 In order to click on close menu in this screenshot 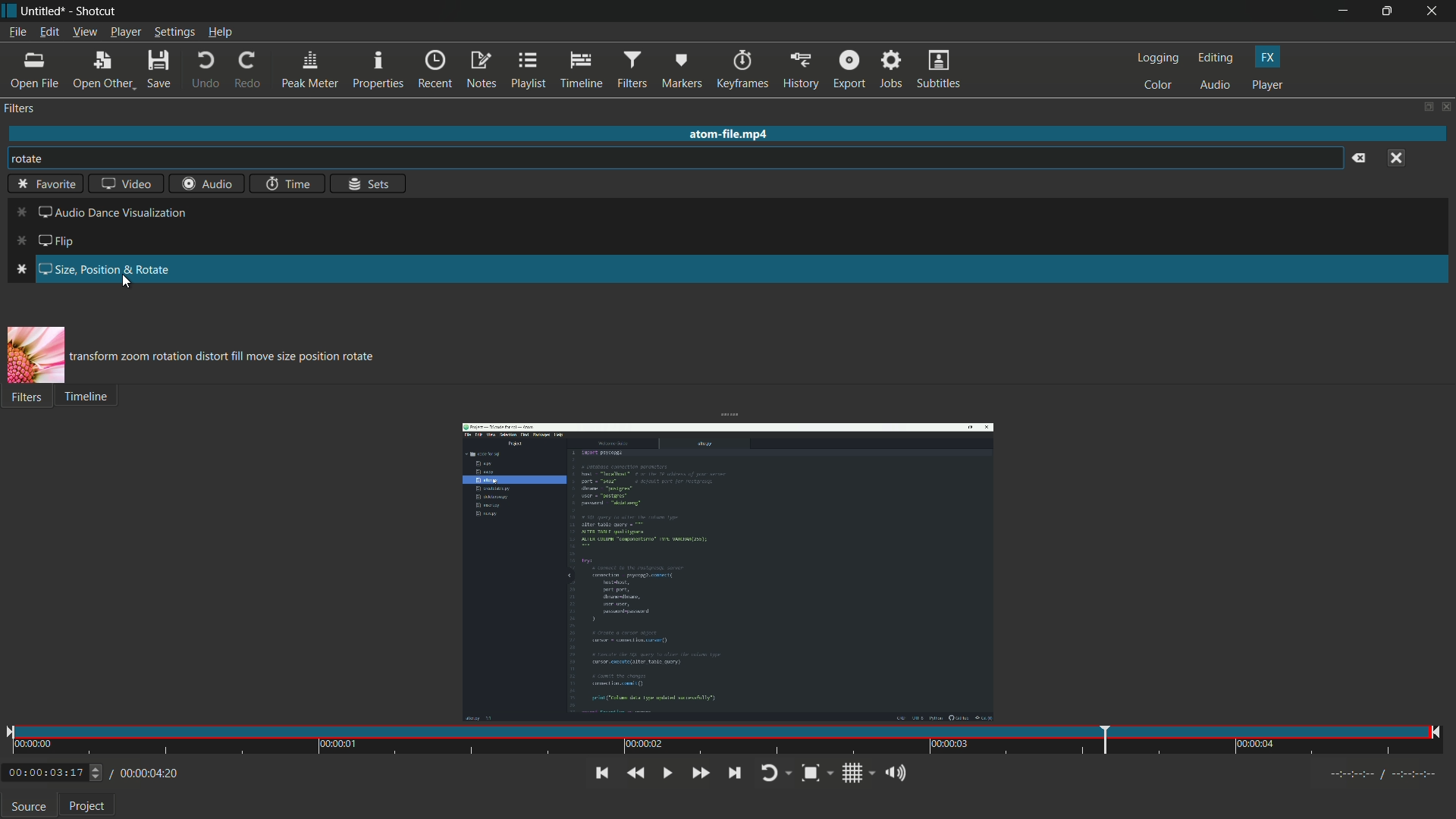, I will do `click(1395, 158)`.